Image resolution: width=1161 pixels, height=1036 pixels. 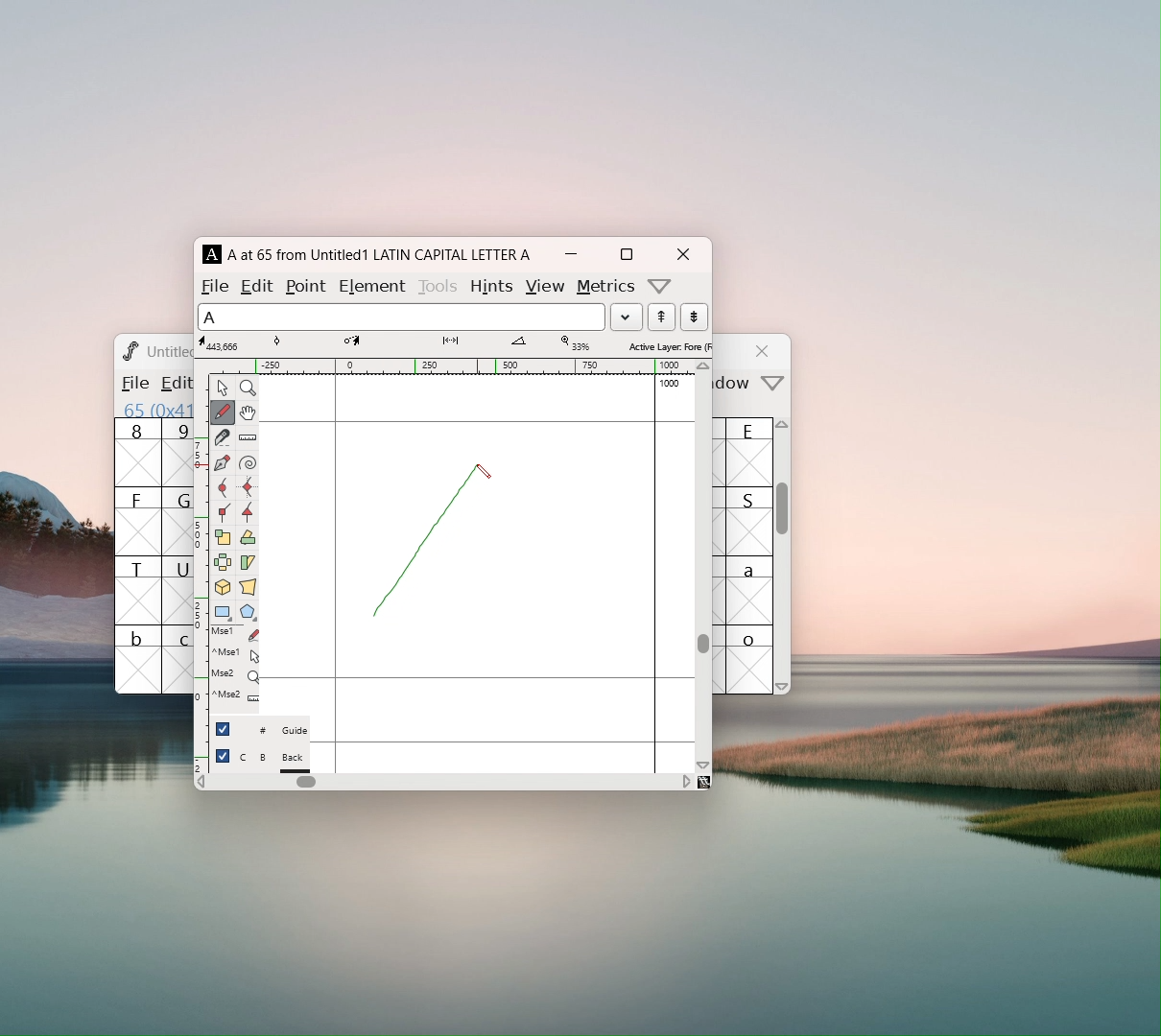 What do you see at coordinates (661, 318) in the screenshot?
I see `show the next word in the wordlist` at bounding box center [661, 318].